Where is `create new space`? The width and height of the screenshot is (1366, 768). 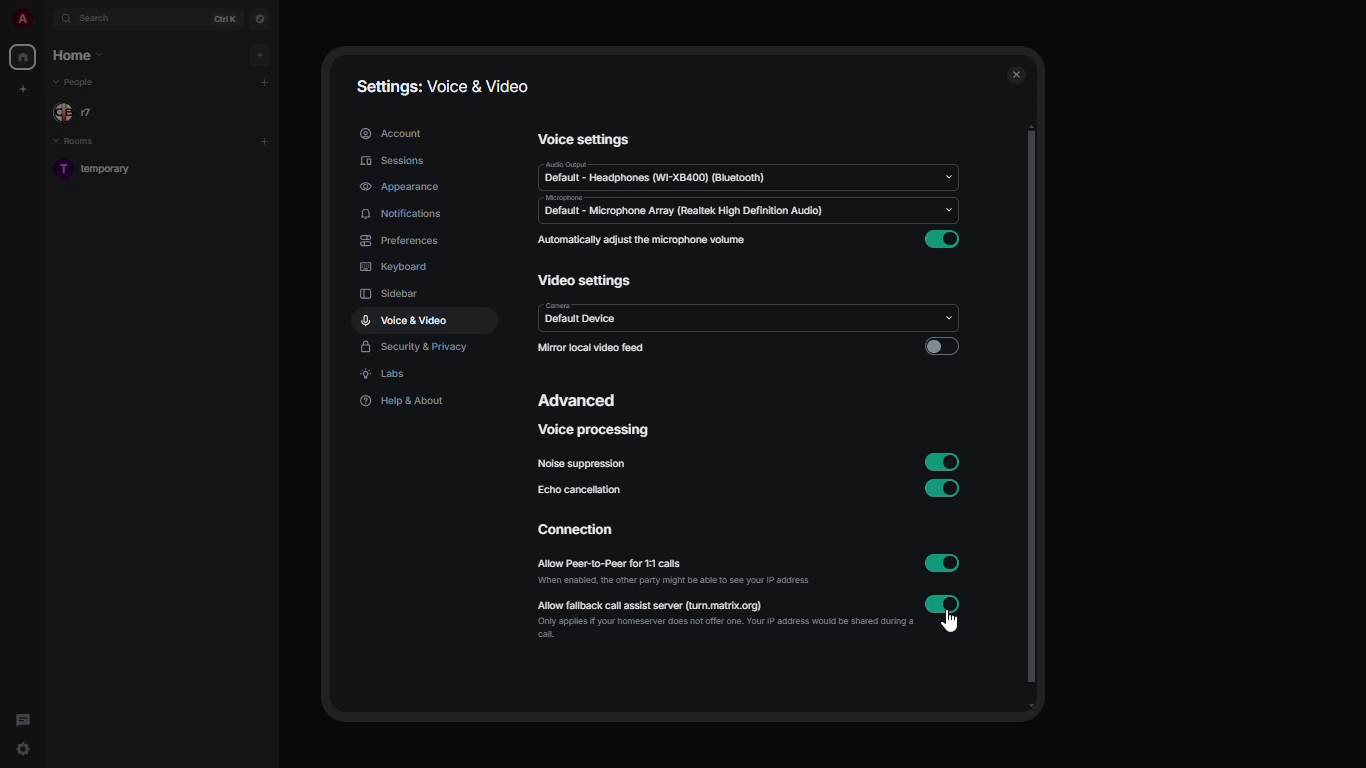 create new space is located at coordinates (24, 89).